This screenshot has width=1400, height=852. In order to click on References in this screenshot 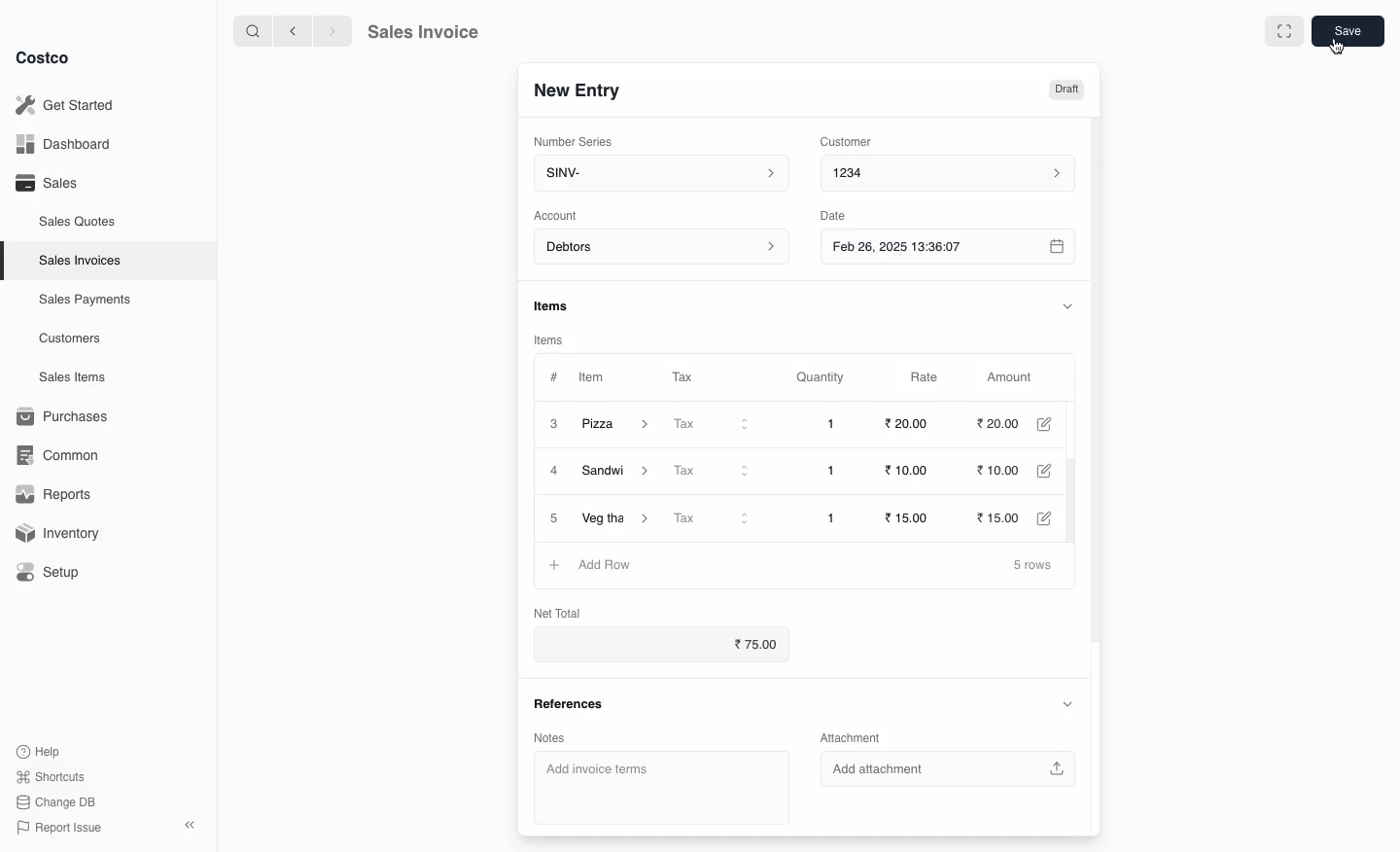, I will do `click(568, 701)`.